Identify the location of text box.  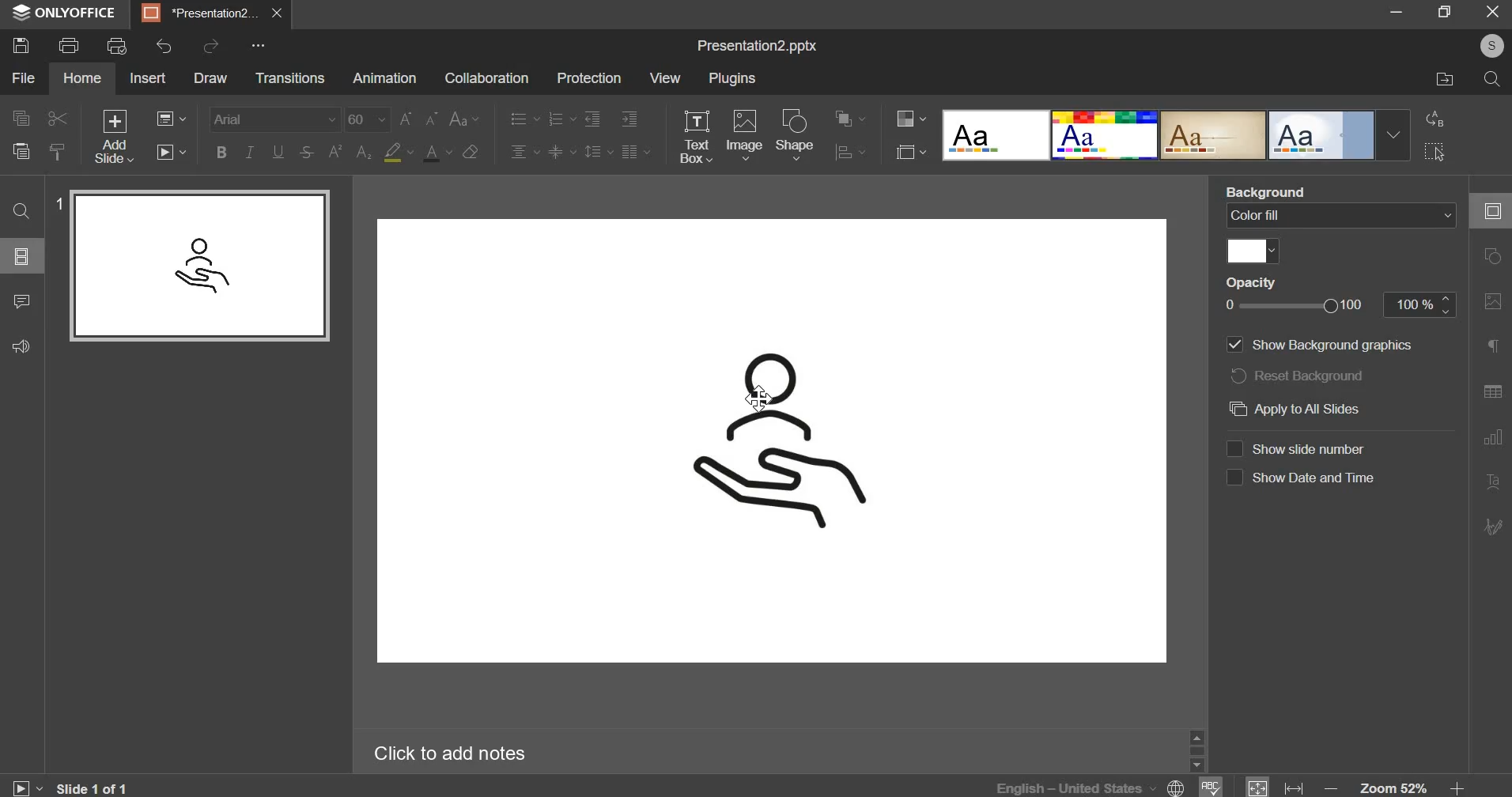
(697, 137).